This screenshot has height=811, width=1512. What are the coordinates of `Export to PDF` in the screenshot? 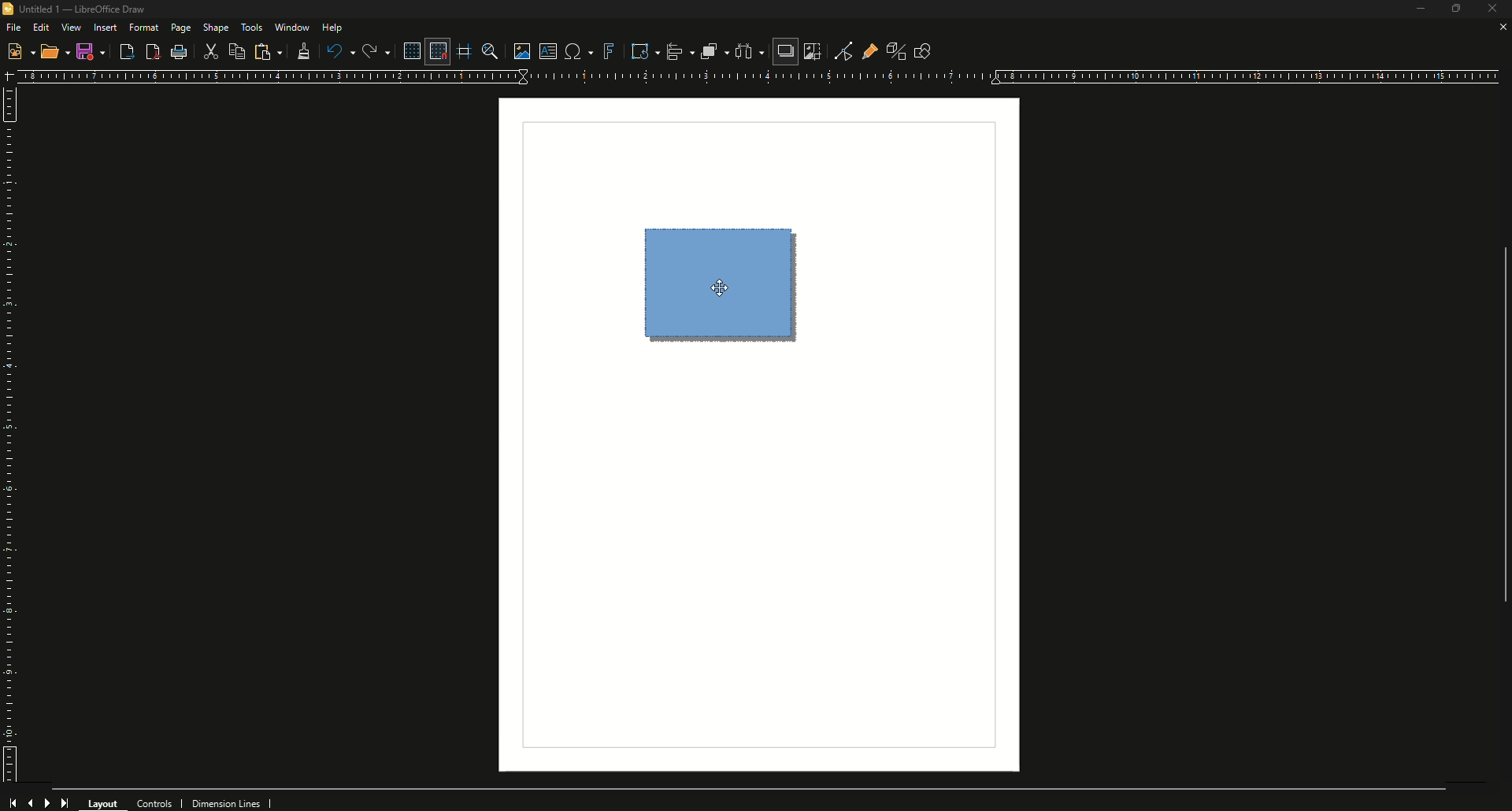 It's located at (150, 52).